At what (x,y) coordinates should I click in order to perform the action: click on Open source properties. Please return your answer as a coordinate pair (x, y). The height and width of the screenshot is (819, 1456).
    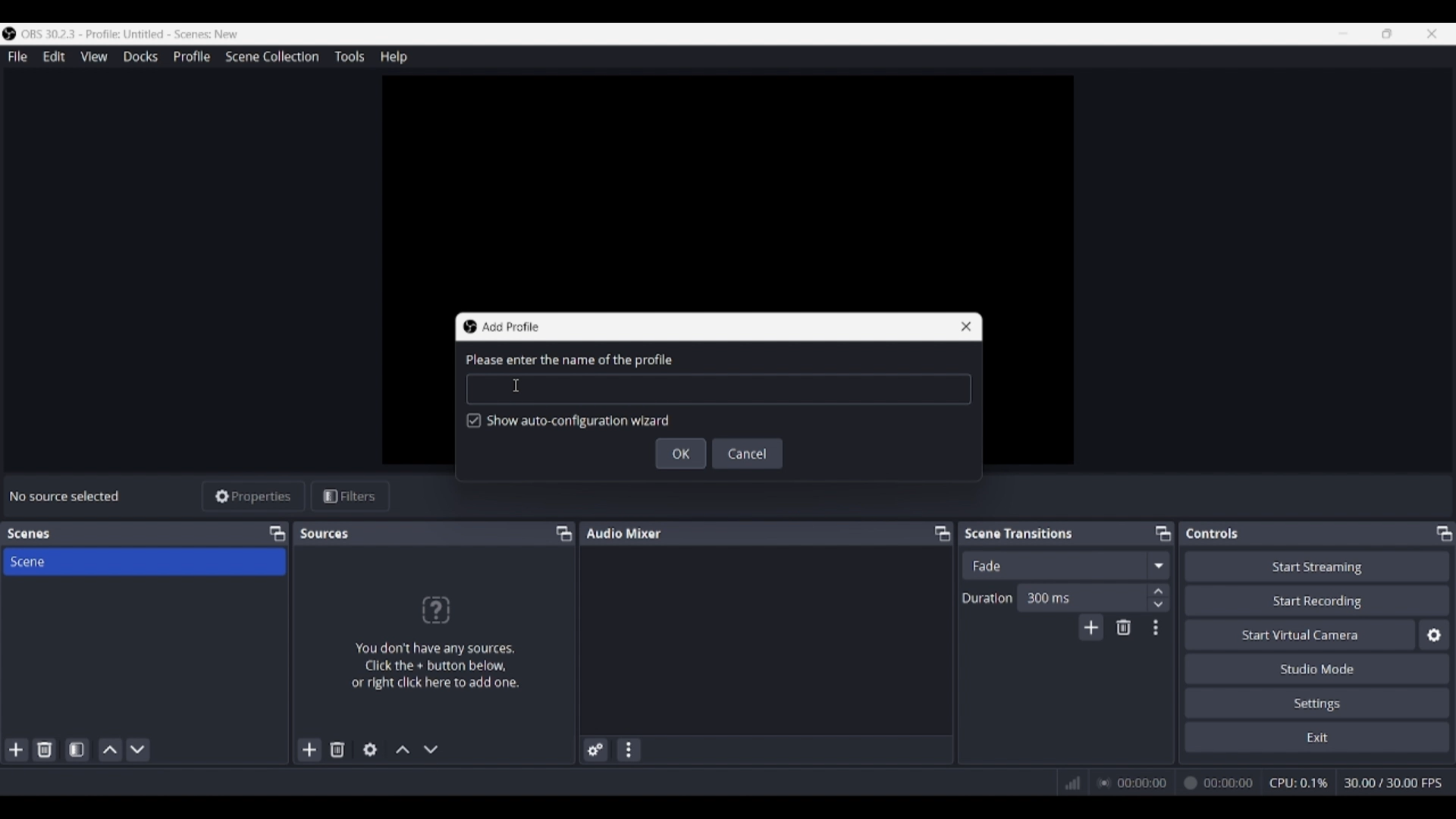
    Looking at the image, I should click on (370, 750).